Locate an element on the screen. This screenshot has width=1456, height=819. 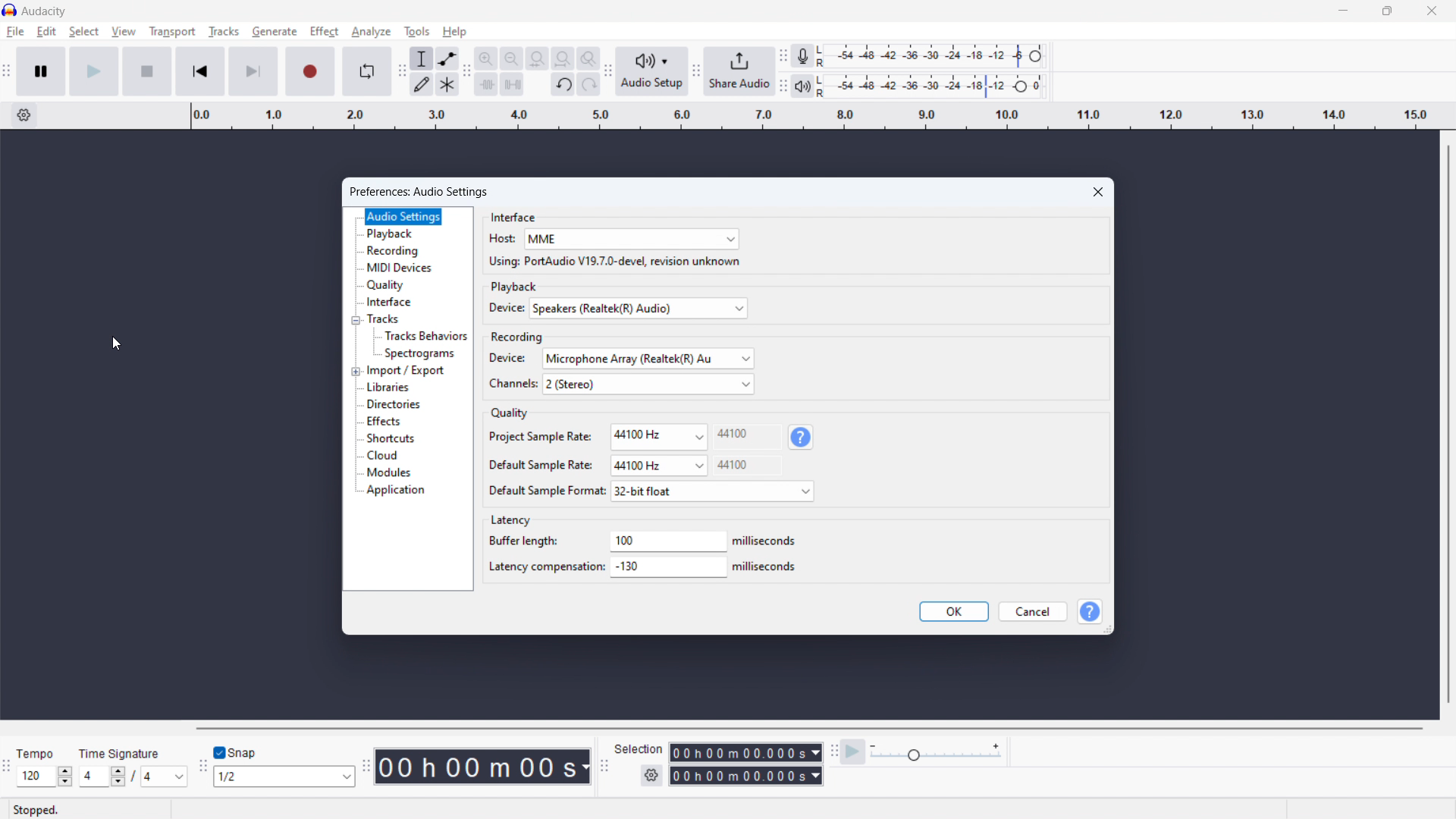
application is located at coordinates (395, 491).